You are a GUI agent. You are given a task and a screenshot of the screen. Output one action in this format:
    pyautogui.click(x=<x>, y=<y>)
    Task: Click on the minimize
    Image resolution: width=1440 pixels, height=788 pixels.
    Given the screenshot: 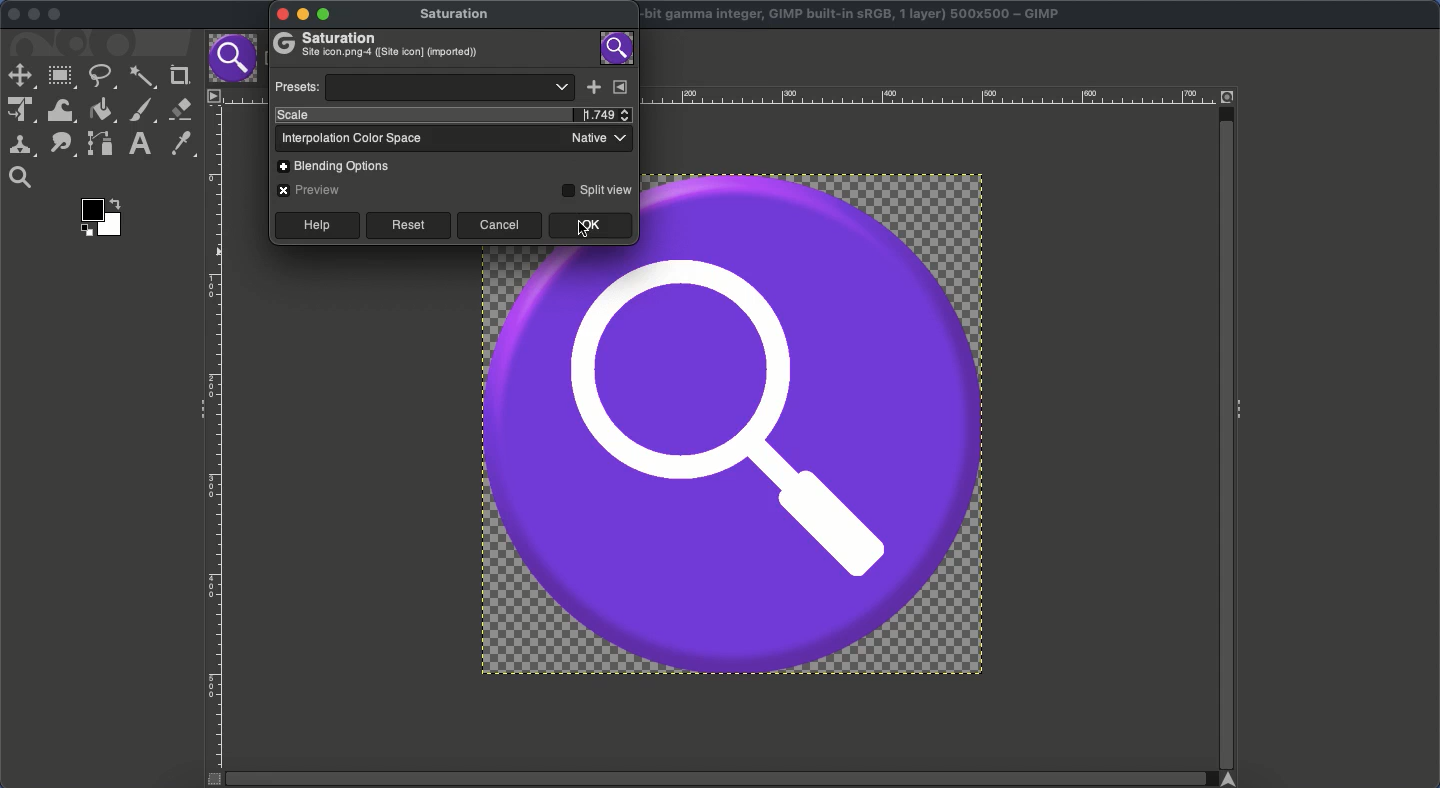 What is the action you would take?
    pyautogui.click(x=305, y=13)
    